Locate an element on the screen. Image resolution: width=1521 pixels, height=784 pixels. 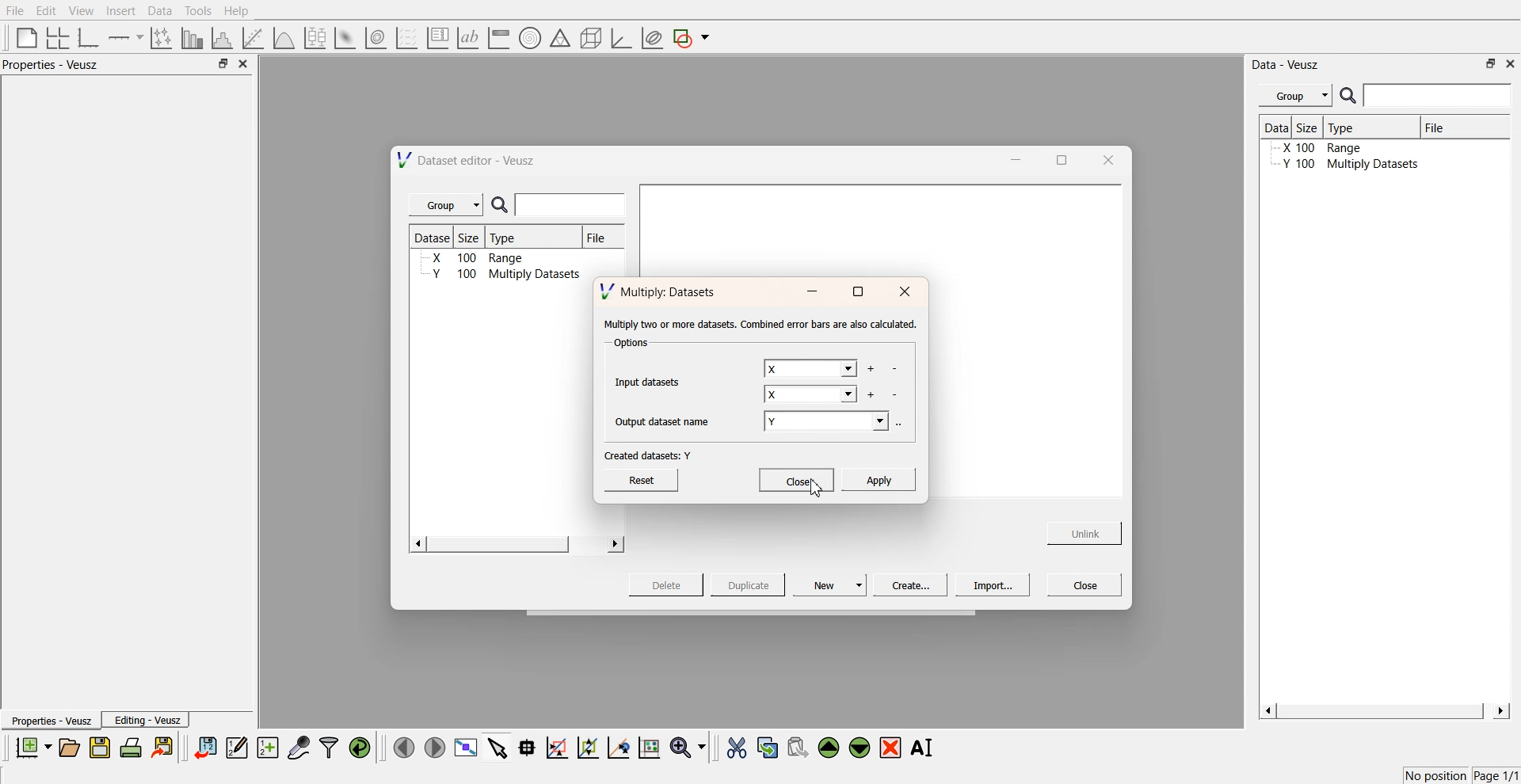
Delete is located at coordinates (668, 584).